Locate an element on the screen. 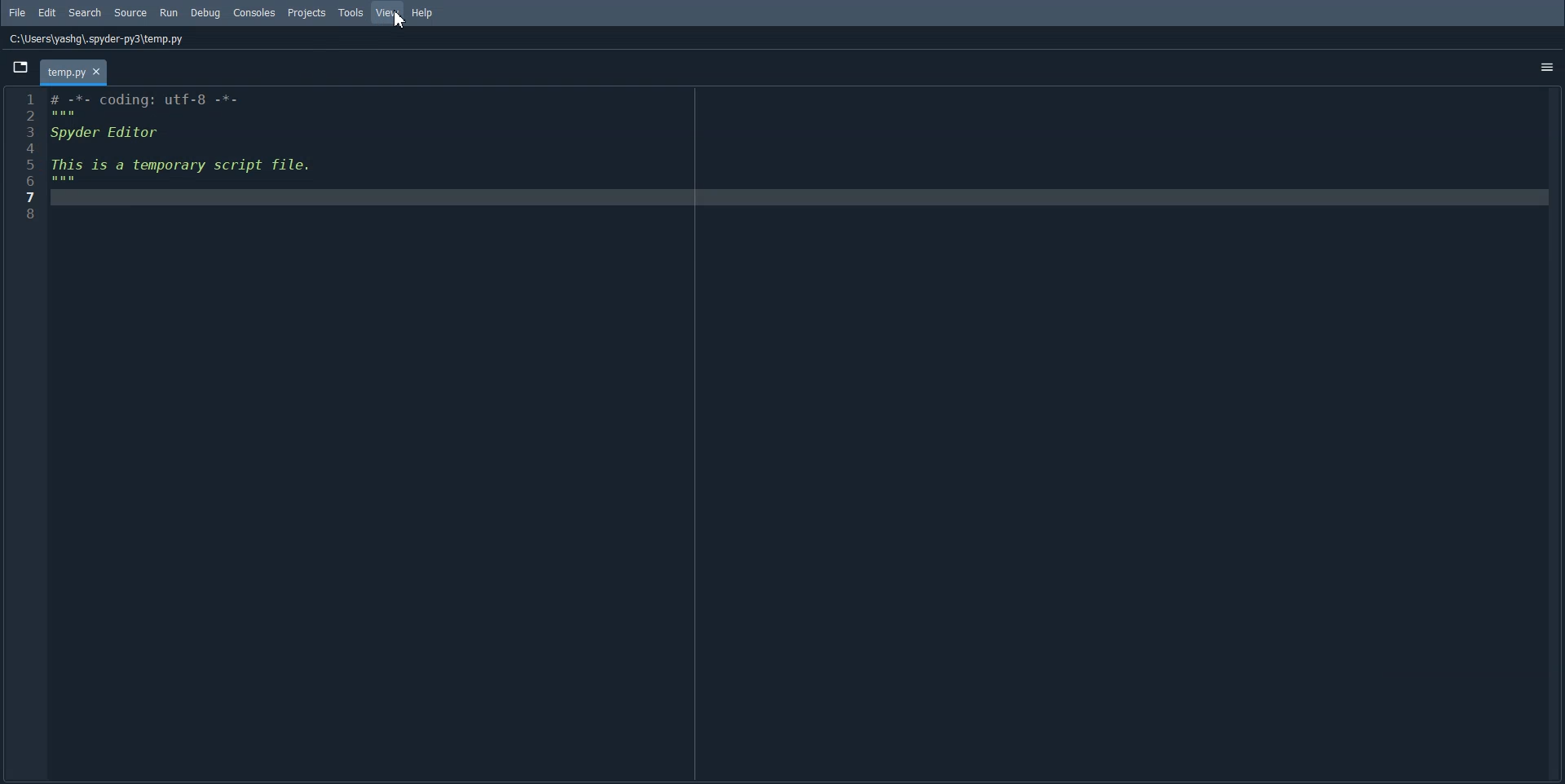  Projects is located at coordinates (307, 12).